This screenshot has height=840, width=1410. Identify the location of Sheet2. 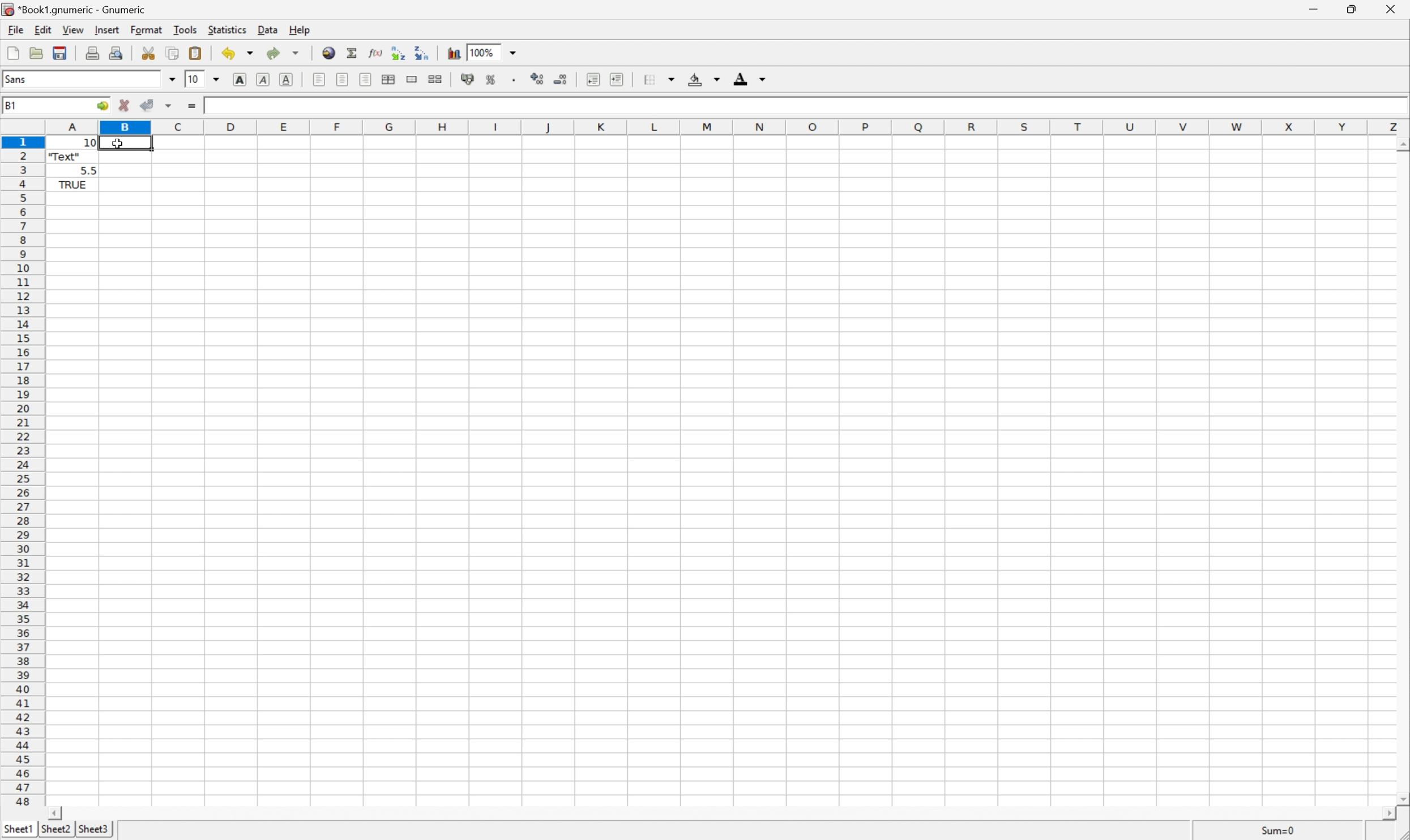
(55, 830).